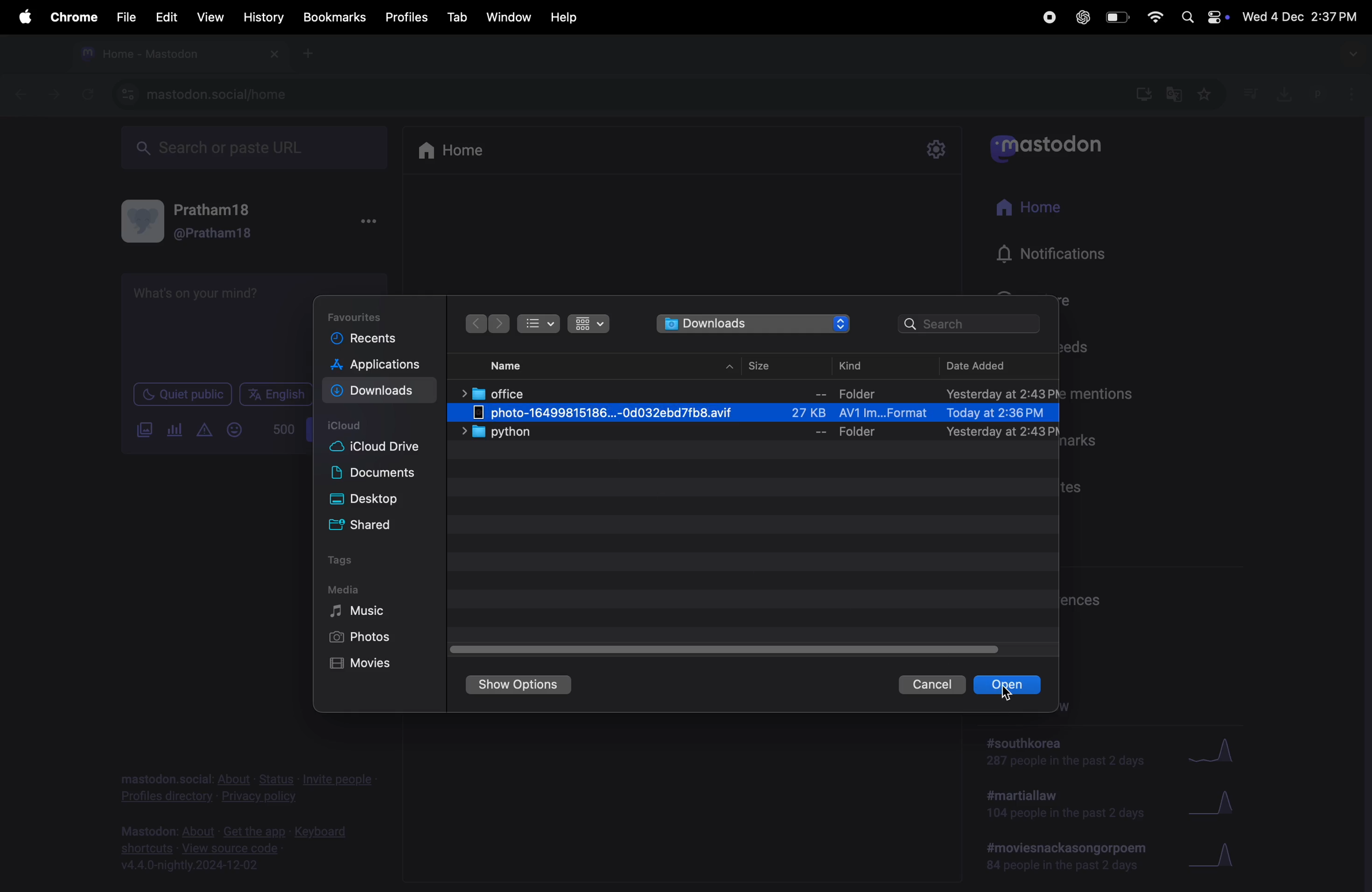 The image size is (1372, 892). Describe the element at coordinates (250, 785) in the screenshot. I see `privacy policiy` at that location.